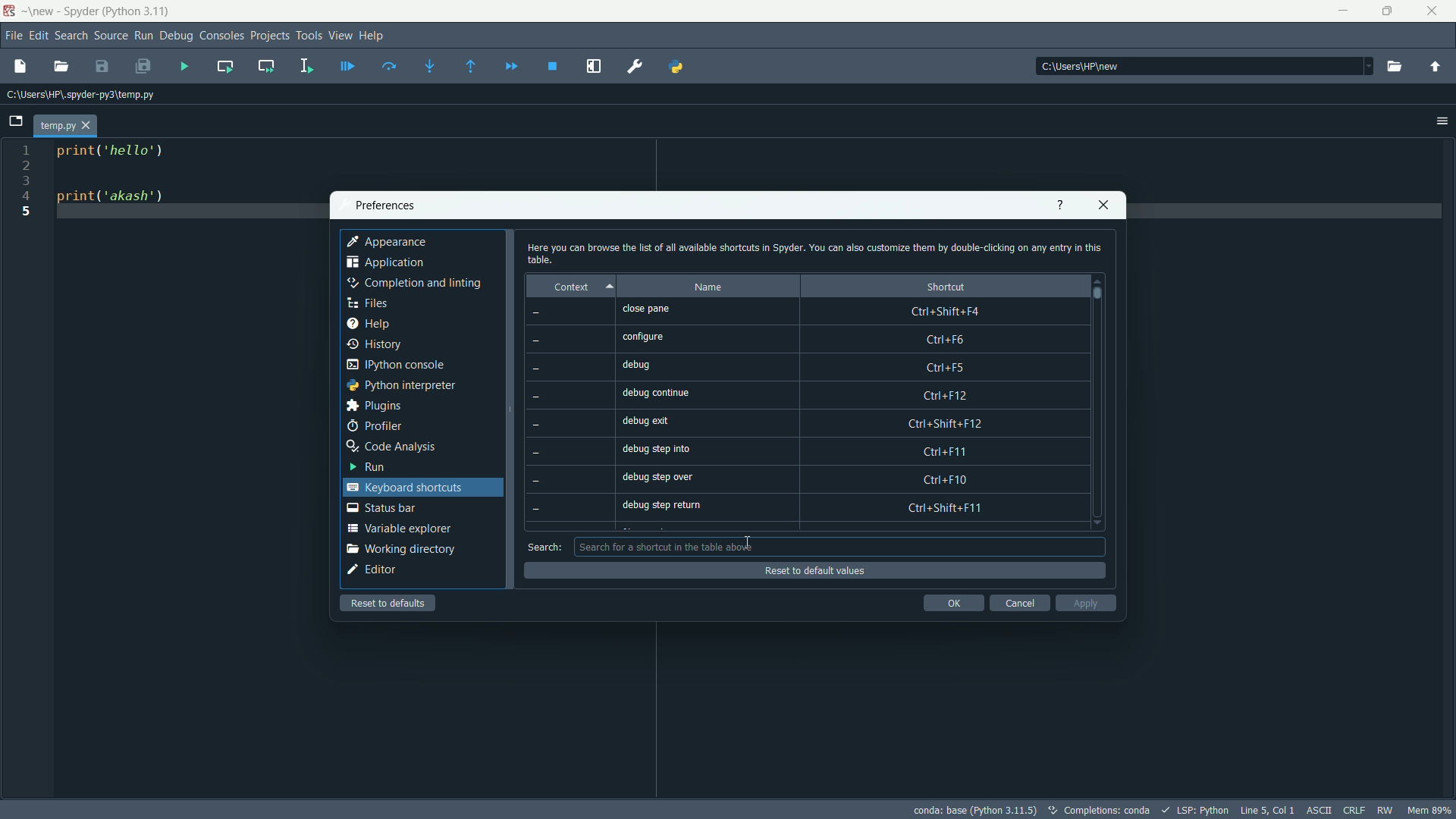 This screenshot has height=819, width=1456. I want to click on close icon, so click(1104, 206).